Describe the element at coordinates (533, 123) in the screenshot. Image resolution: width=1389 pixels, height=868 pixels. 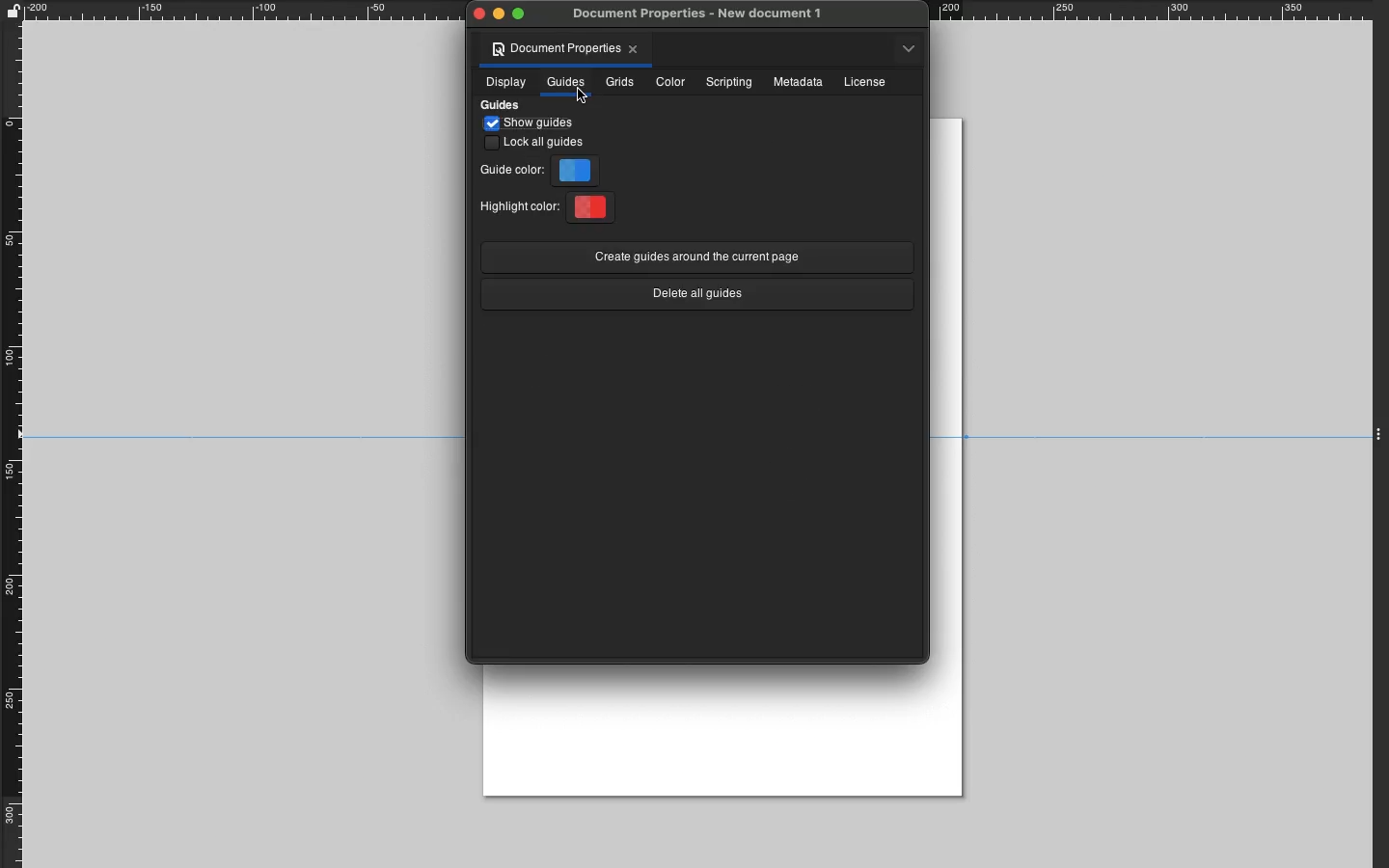
I see `Show guides` at that location.